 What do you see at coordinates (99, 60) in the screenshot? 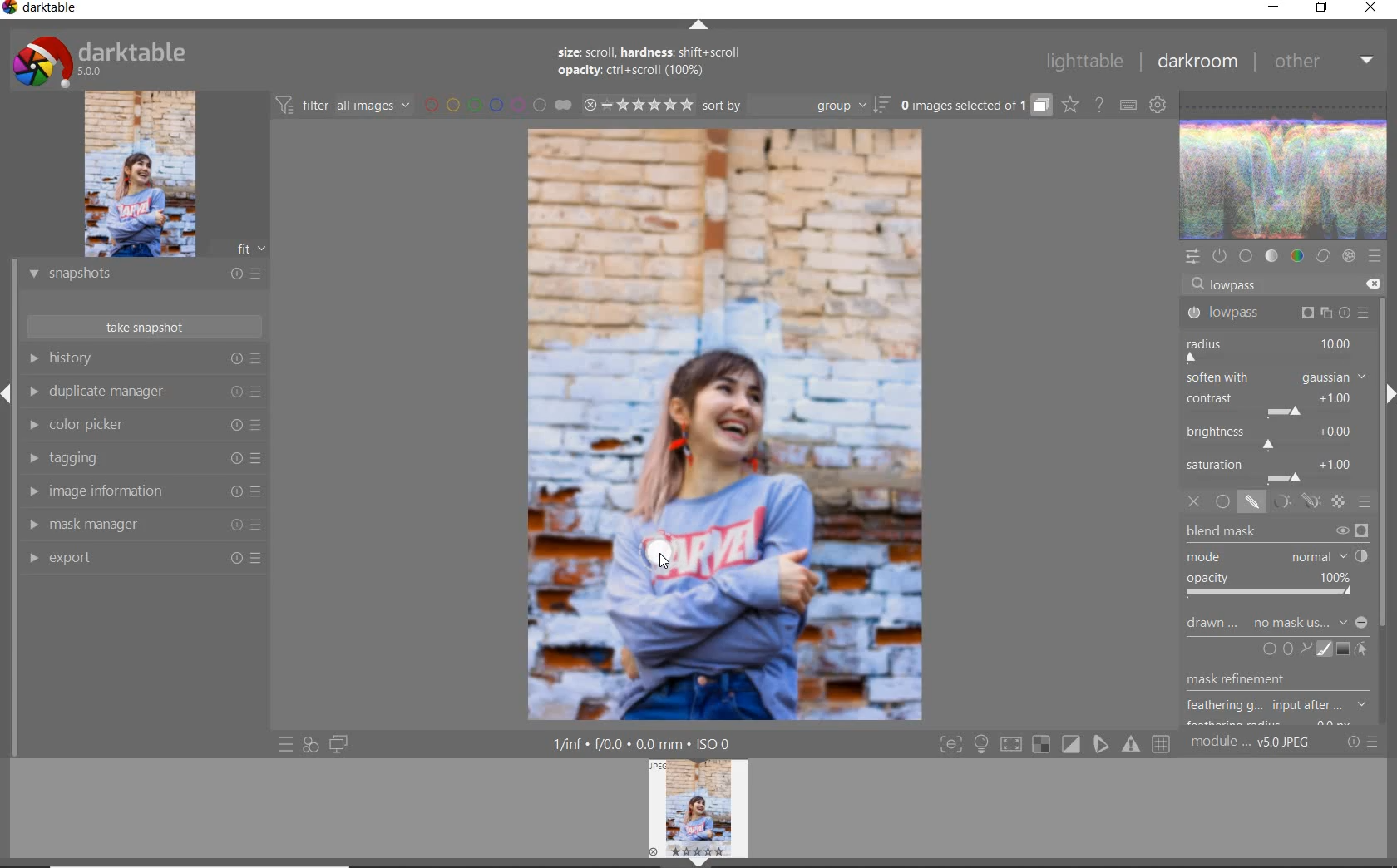
I see `system logo` at bounding box center [99, 60].